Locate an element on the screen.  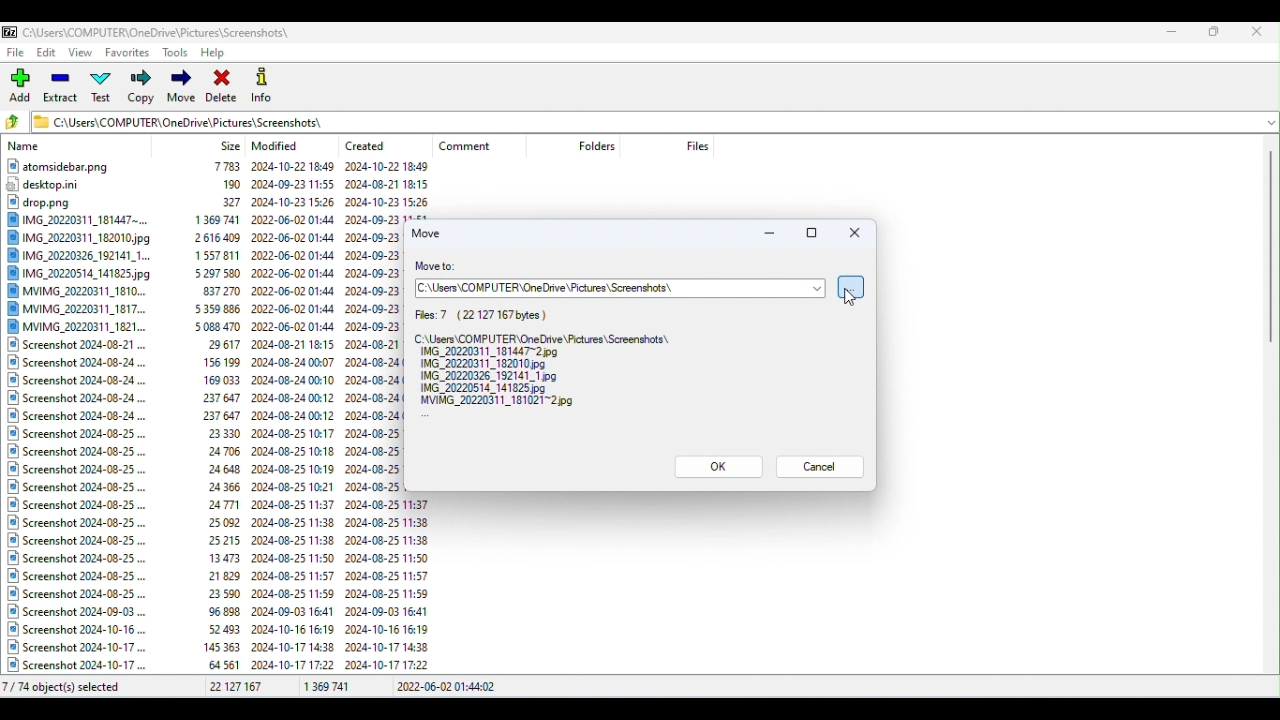
Move is located at coordinates (431, 232).